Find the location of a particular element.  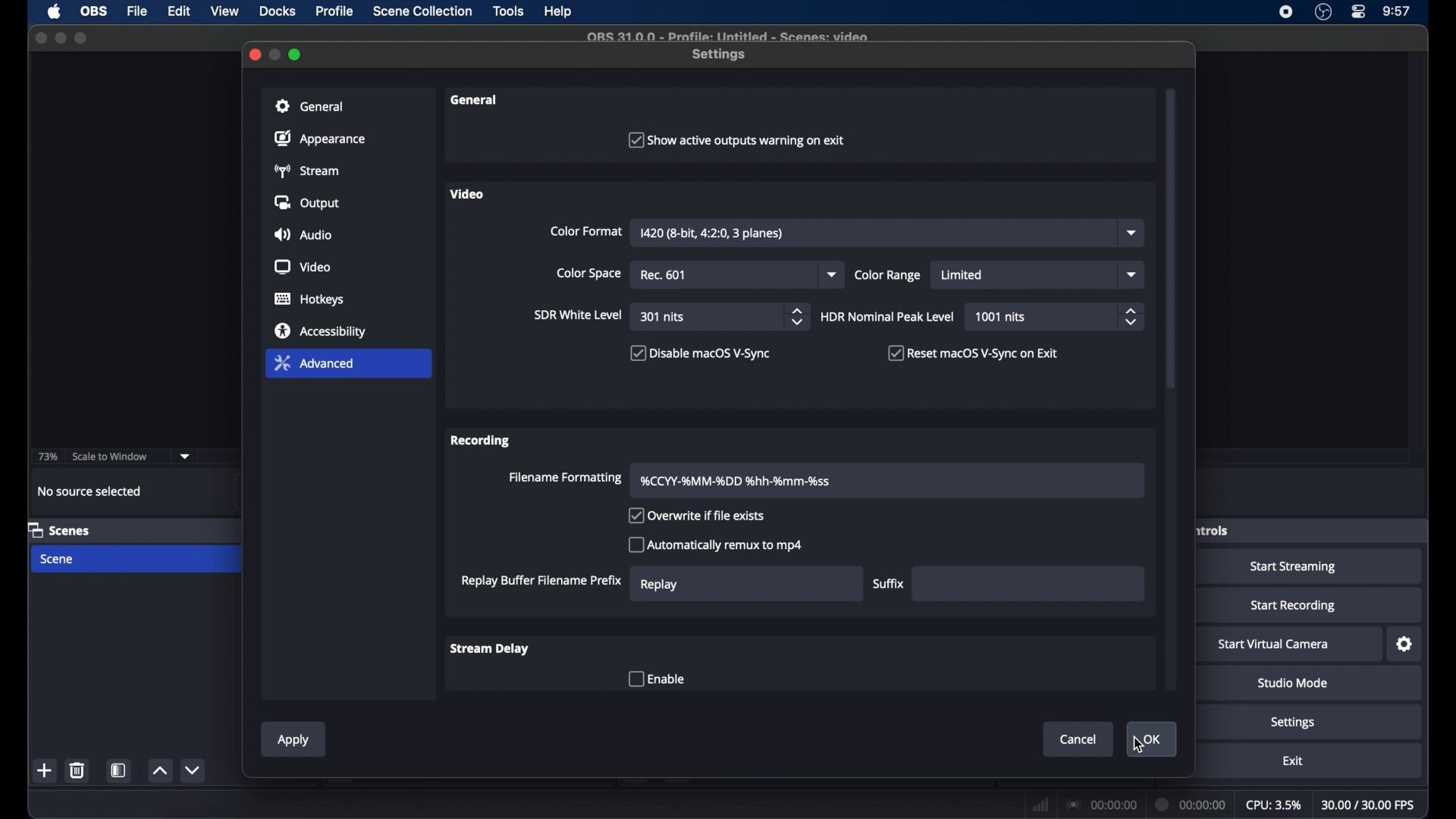

no source selected is located at coordinates (90, 491).